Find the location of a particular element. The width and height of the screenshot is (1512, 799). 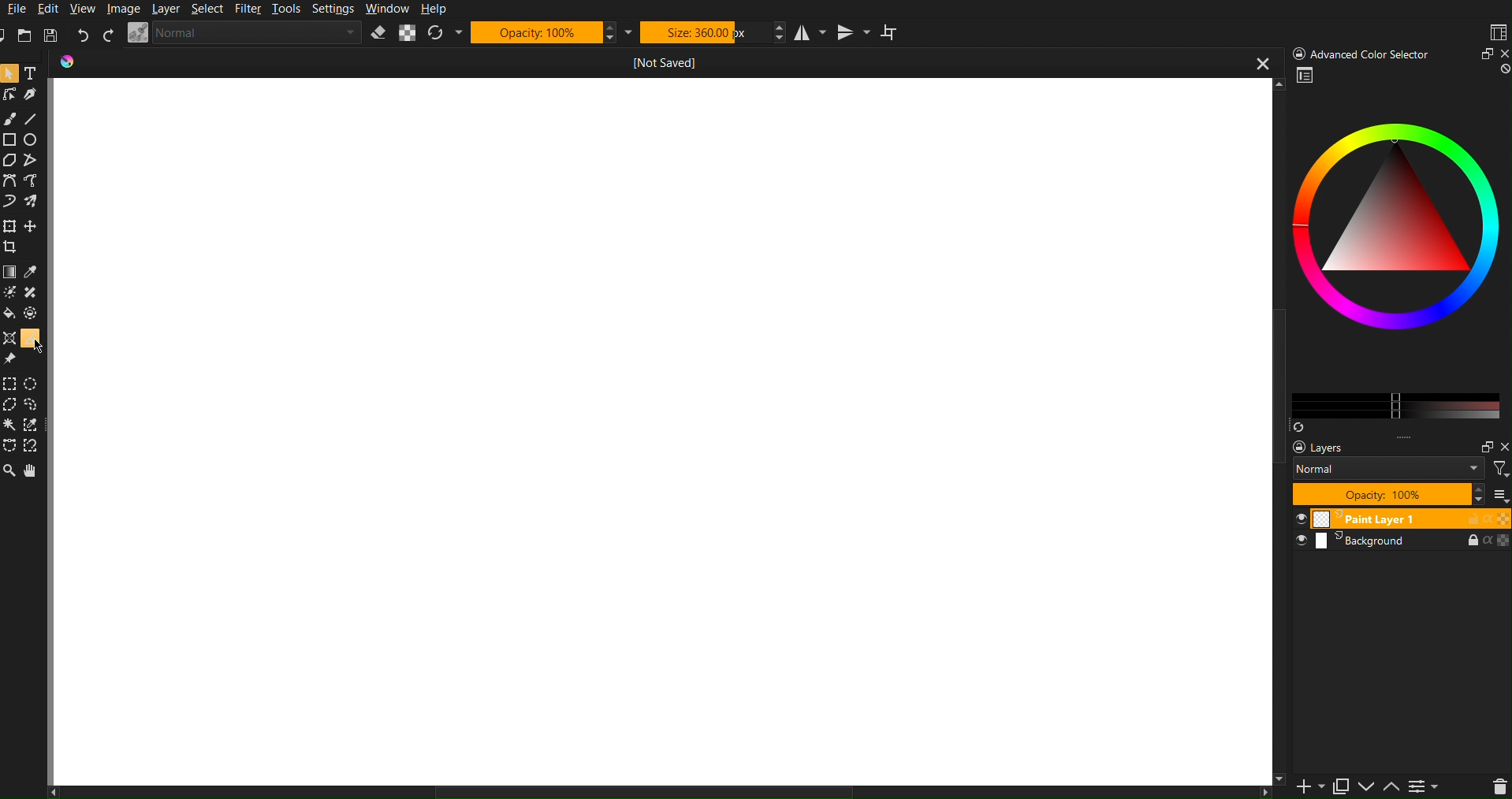

Brush is located at coordinates (11, 118).